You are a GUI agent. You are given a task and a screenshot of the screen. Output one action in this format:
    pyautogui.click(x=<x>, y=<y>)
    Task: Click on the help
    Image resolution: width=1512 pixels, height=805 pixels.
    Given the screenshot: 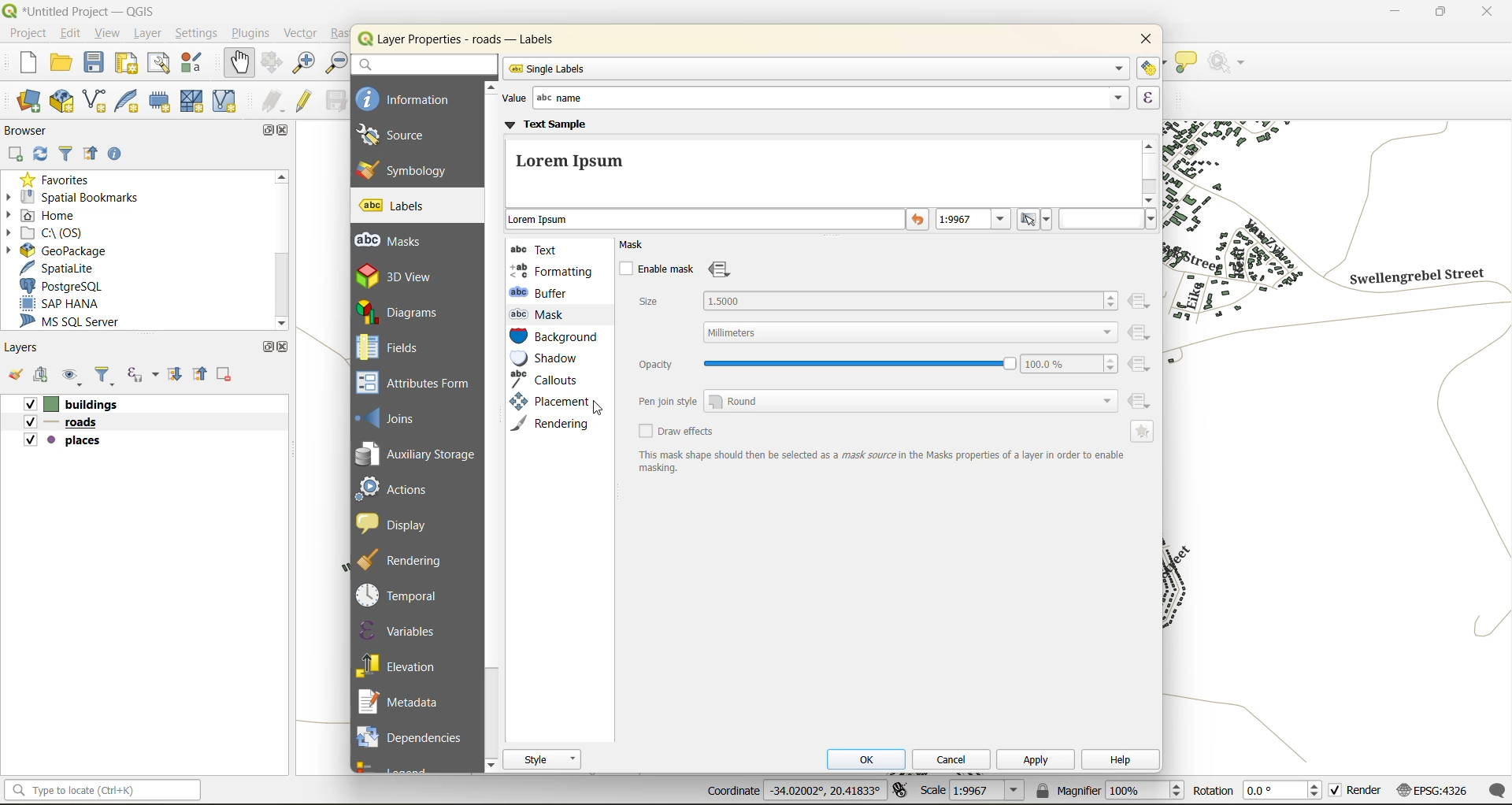 What is the action you would take?
    pyautogui.click(x=1119, y=762)
    